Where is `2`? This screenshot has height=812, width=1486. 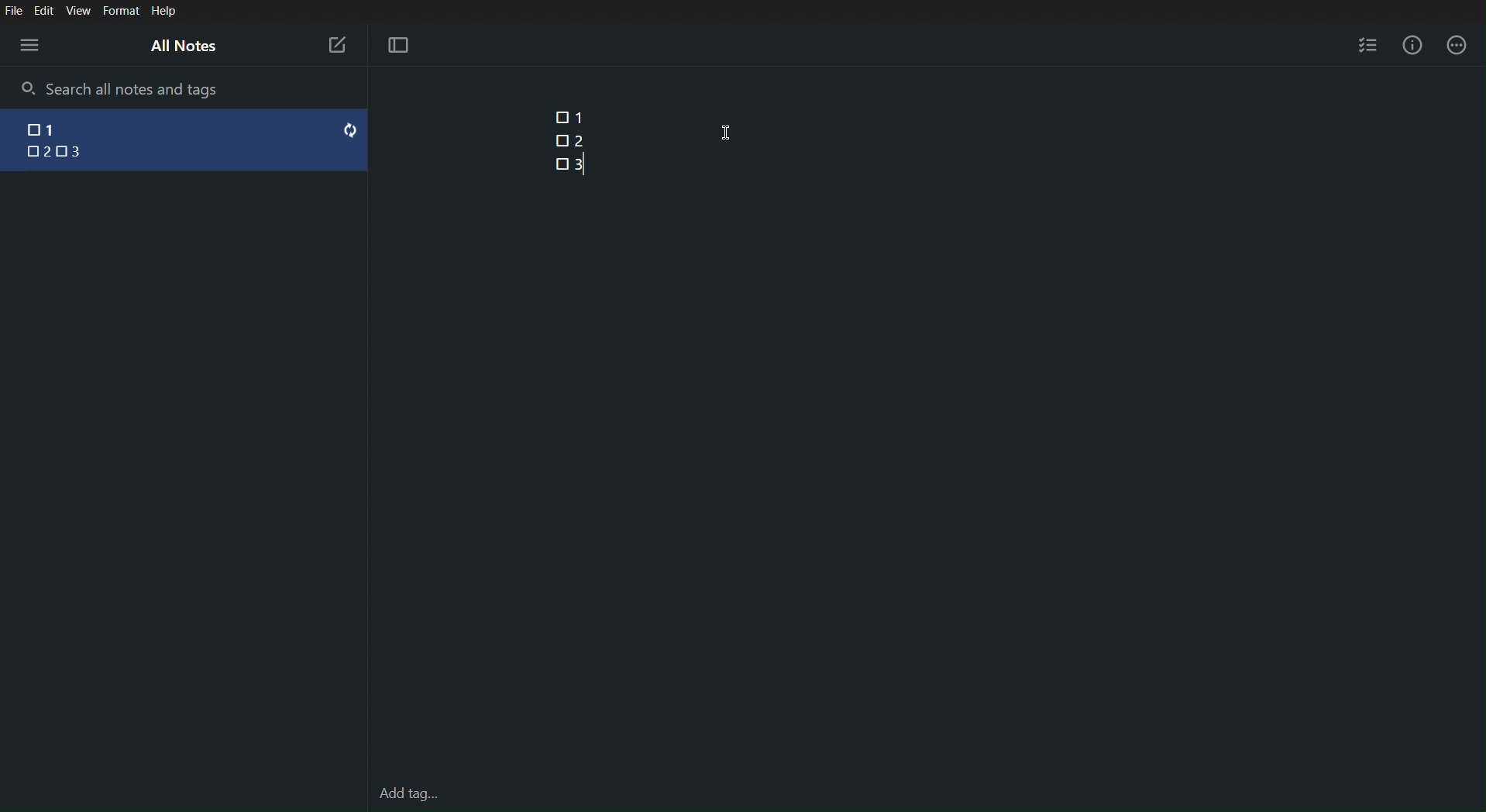
2 is located at coordinates (580, 139).